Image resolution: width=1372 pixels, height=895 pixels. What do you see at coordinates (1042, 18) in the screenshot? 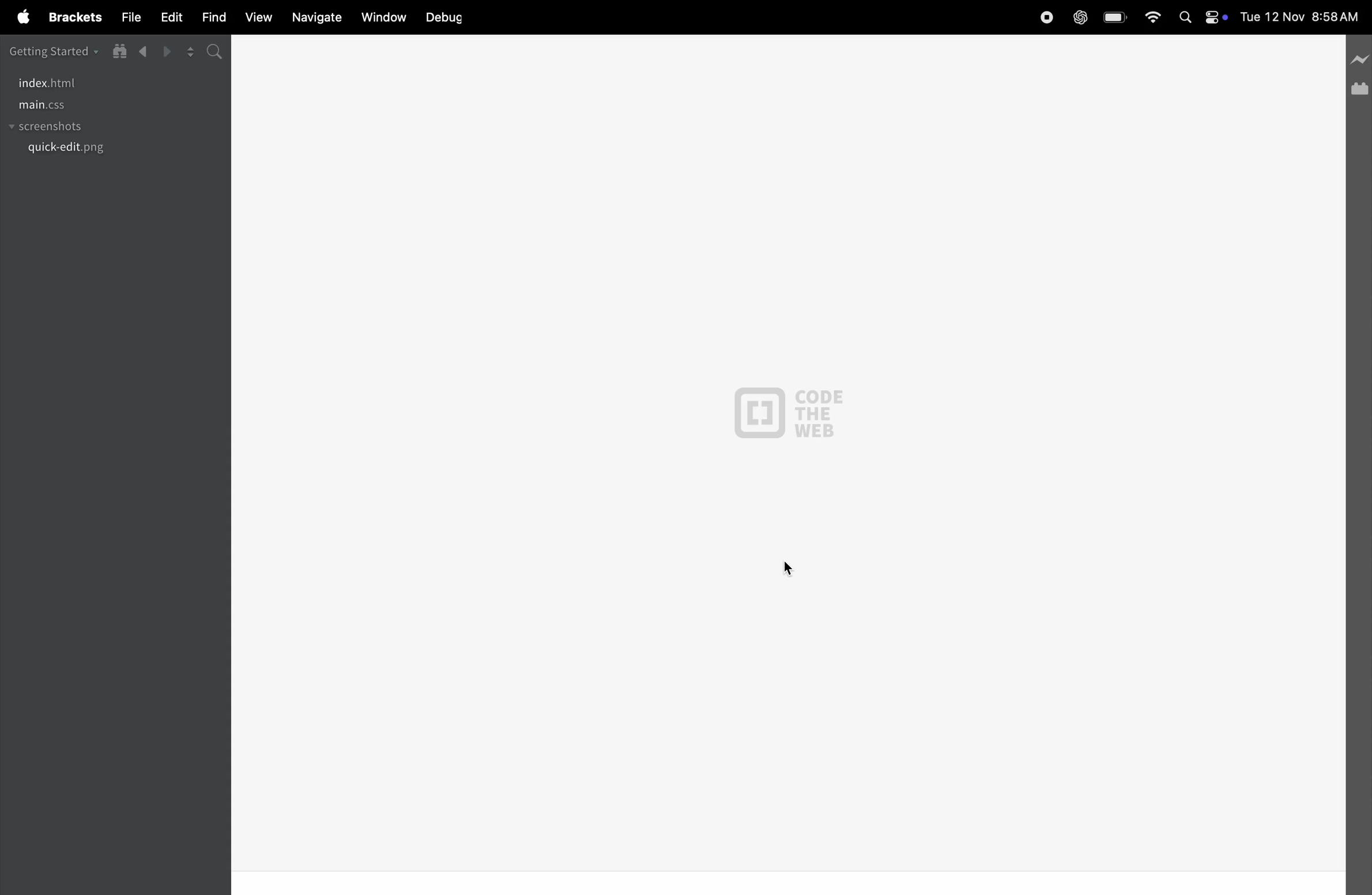
I see `record` at bounding box center [1042, 18].